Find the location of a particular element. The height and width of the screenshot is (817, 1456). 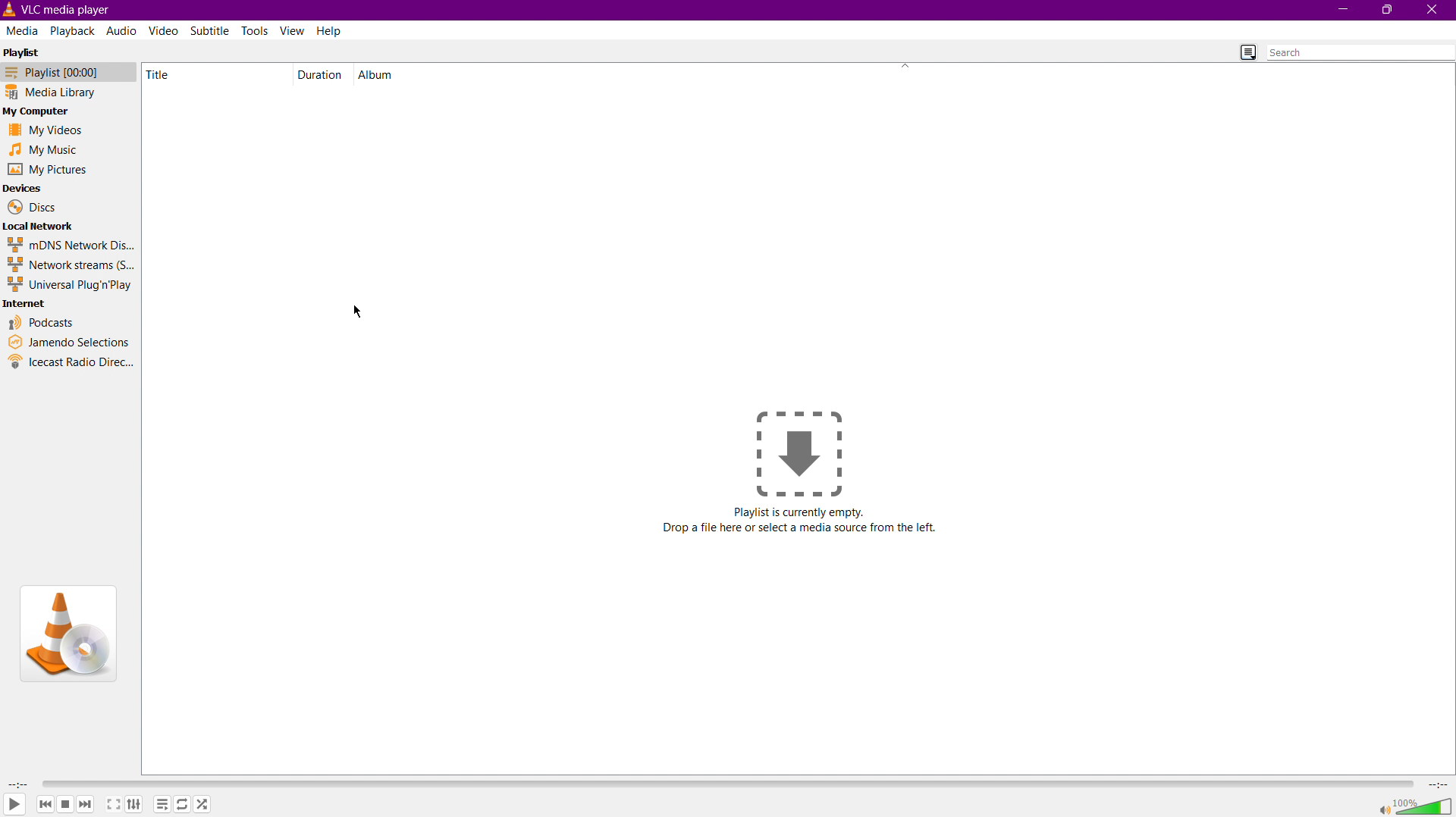

Jamendo Selections is located at coordinates (70, 343).